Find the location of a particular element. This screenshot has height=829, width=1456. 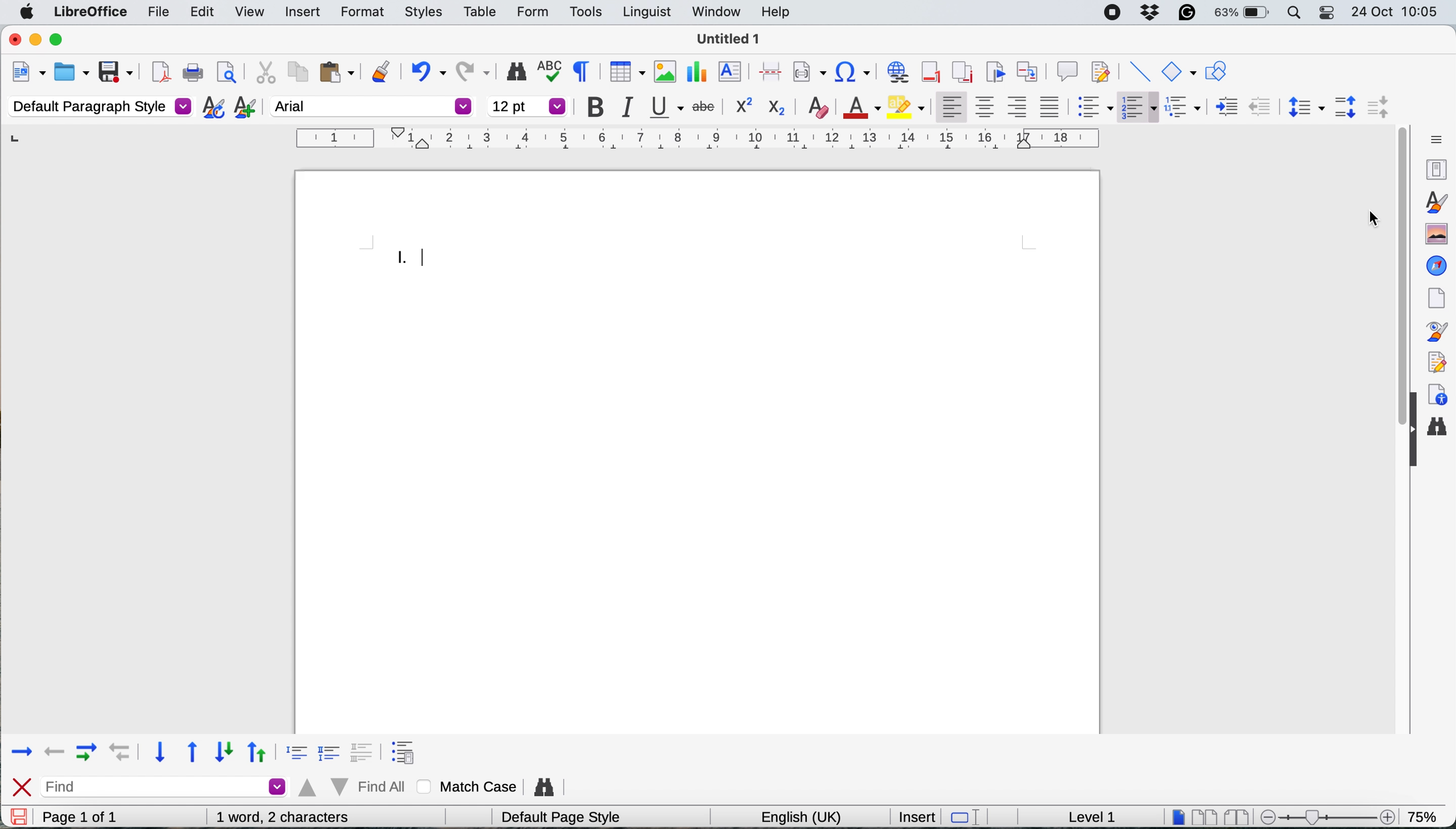

close is located at coordinates (13, 40).